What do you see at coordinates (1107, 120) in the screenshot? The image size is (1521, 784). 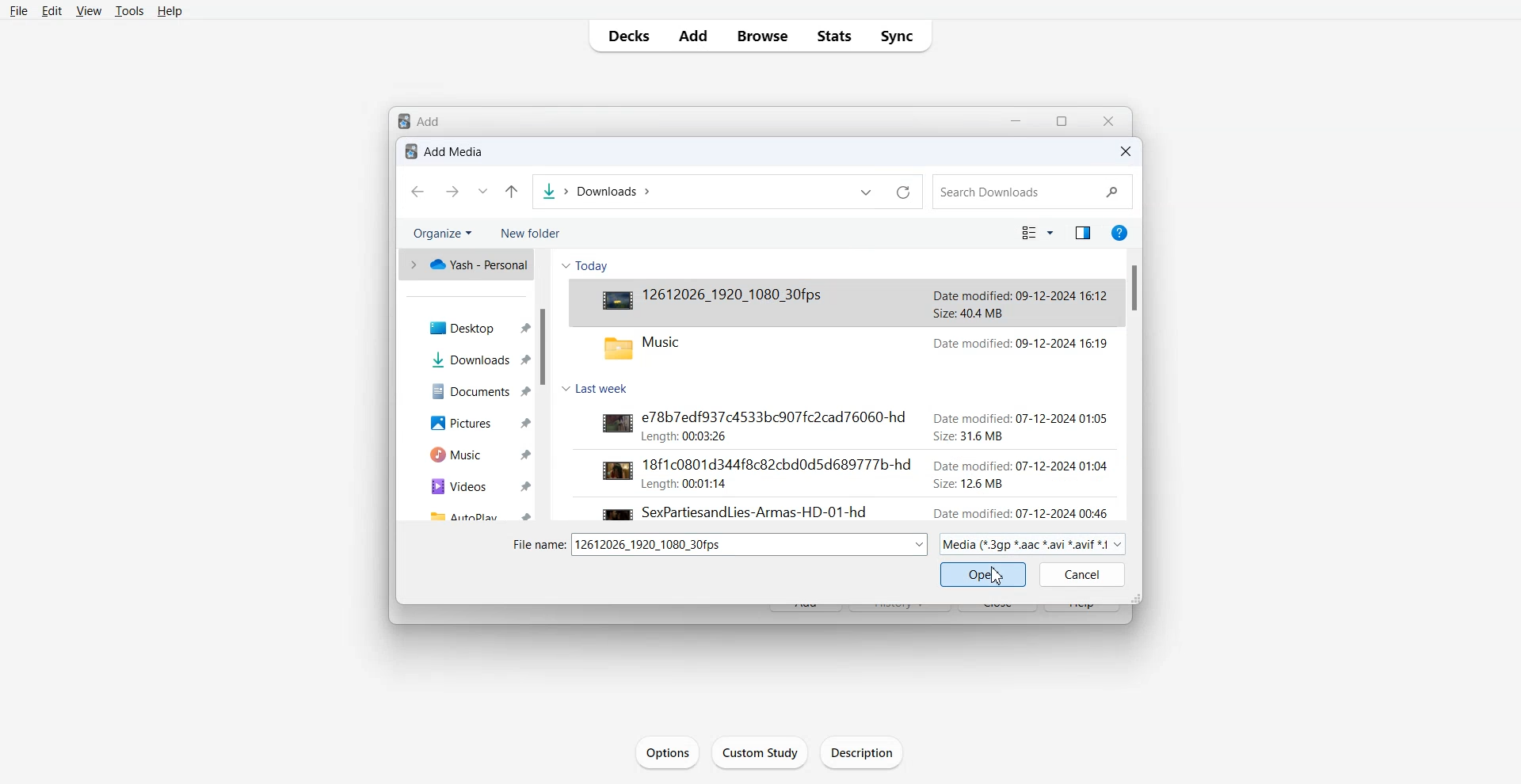 I see `Close` at bounding box center [1107, 120].